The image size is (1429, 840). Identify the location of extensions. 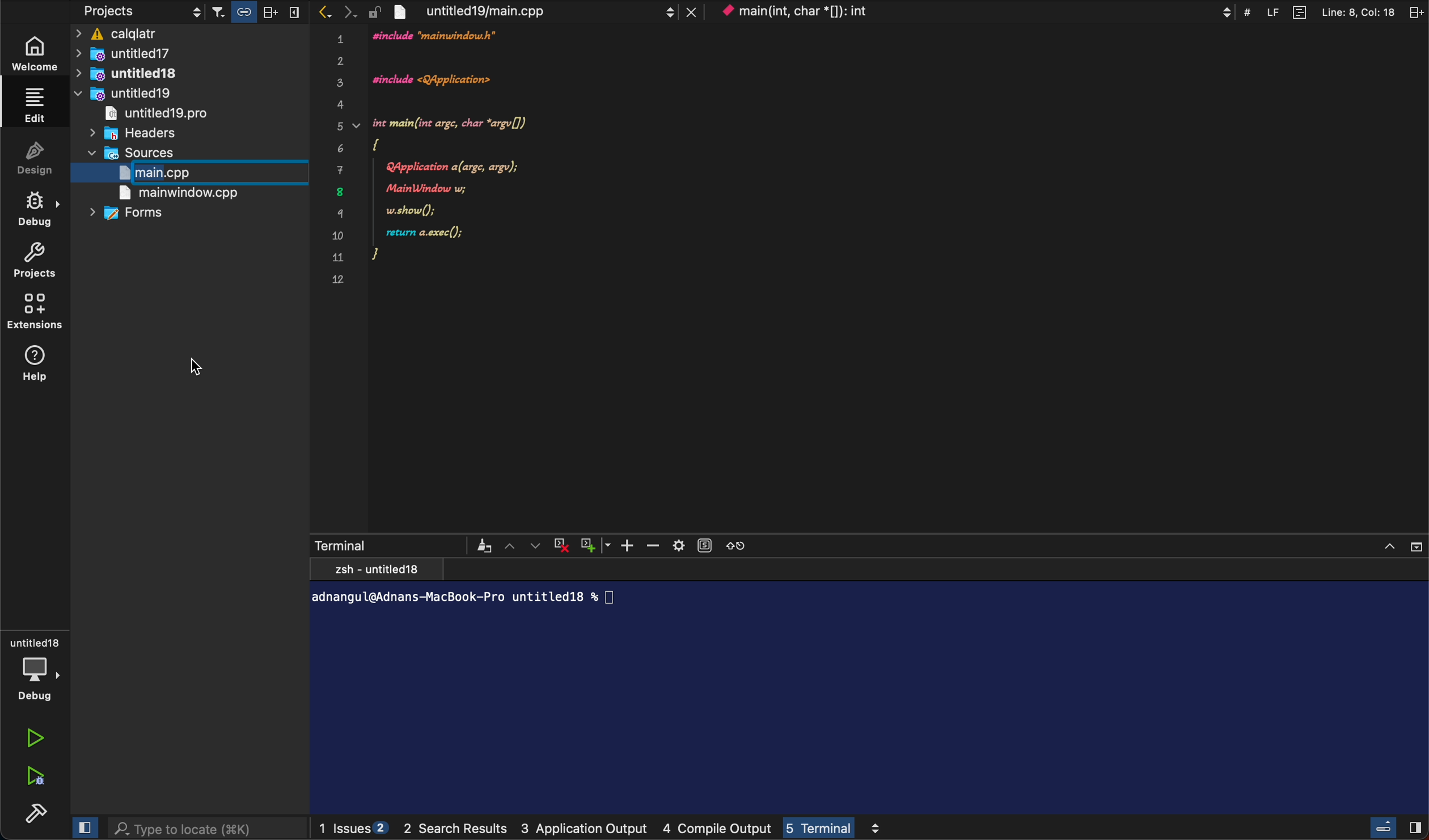
(40, 313).